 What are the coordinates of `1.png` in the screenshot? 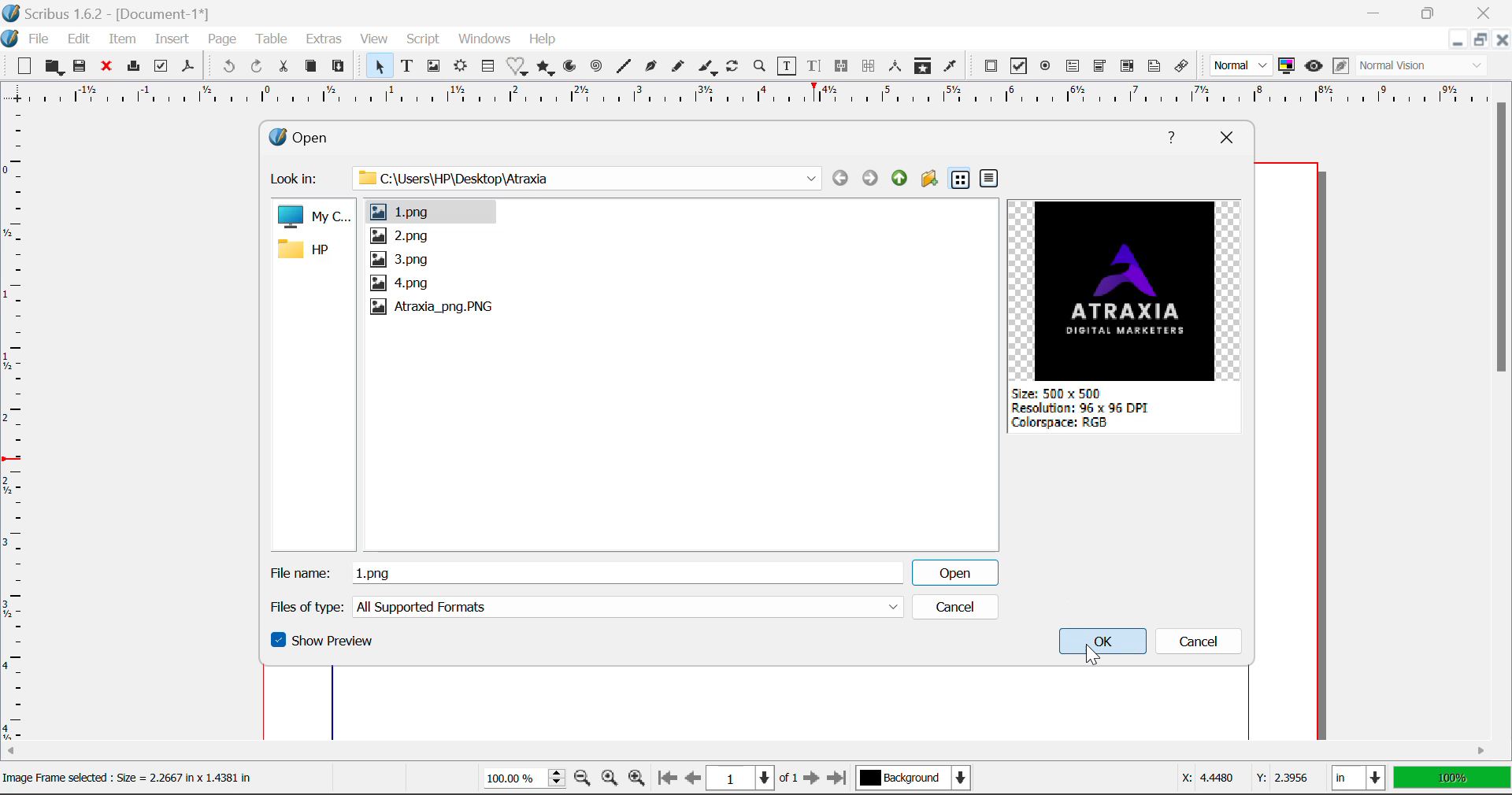 It's located at (629, 571).